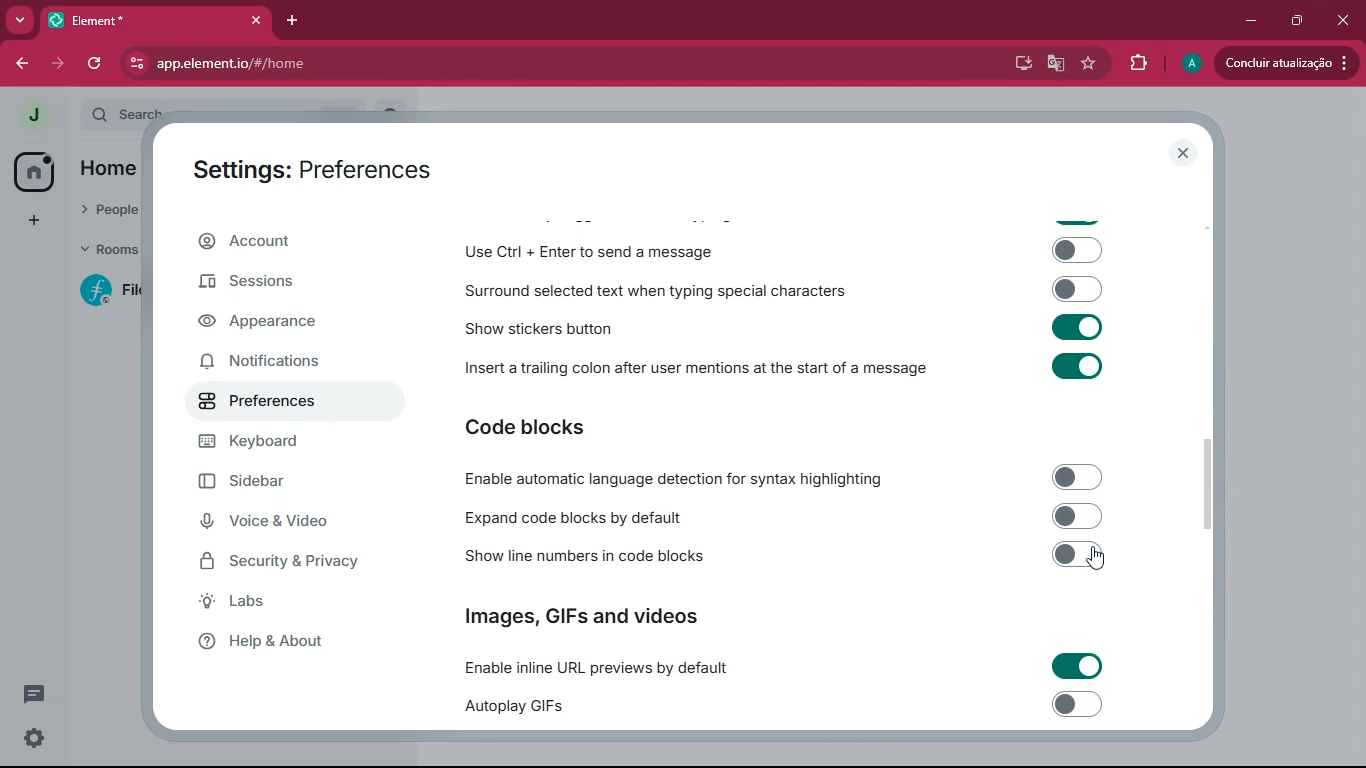 The height and width of the screenshot is (768, 1366). I want to click on settings, so click(34, 738).